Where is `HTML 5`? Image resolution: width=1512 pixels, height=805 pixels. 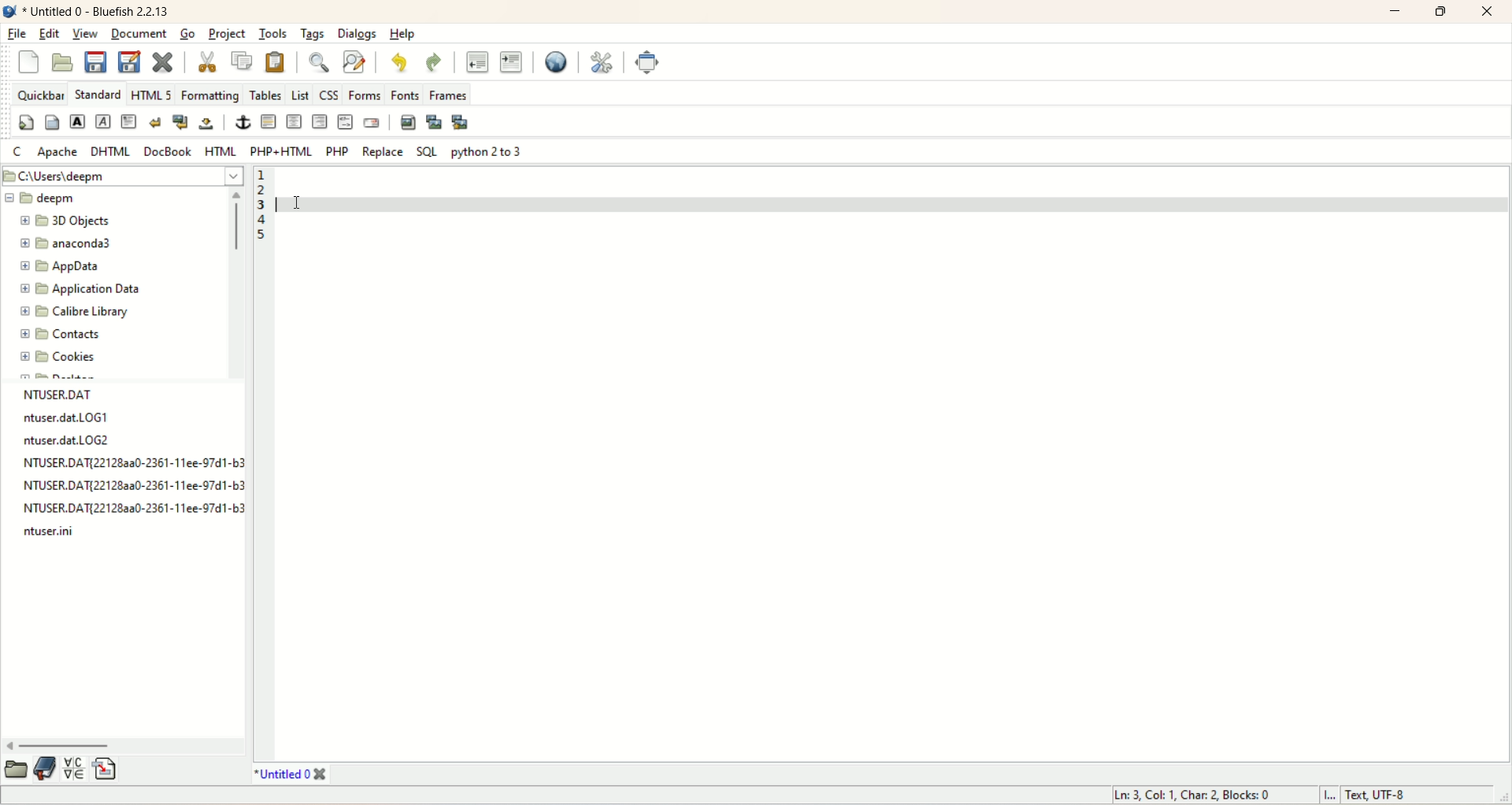 HTML 5 is located at coordinates (152, 95).